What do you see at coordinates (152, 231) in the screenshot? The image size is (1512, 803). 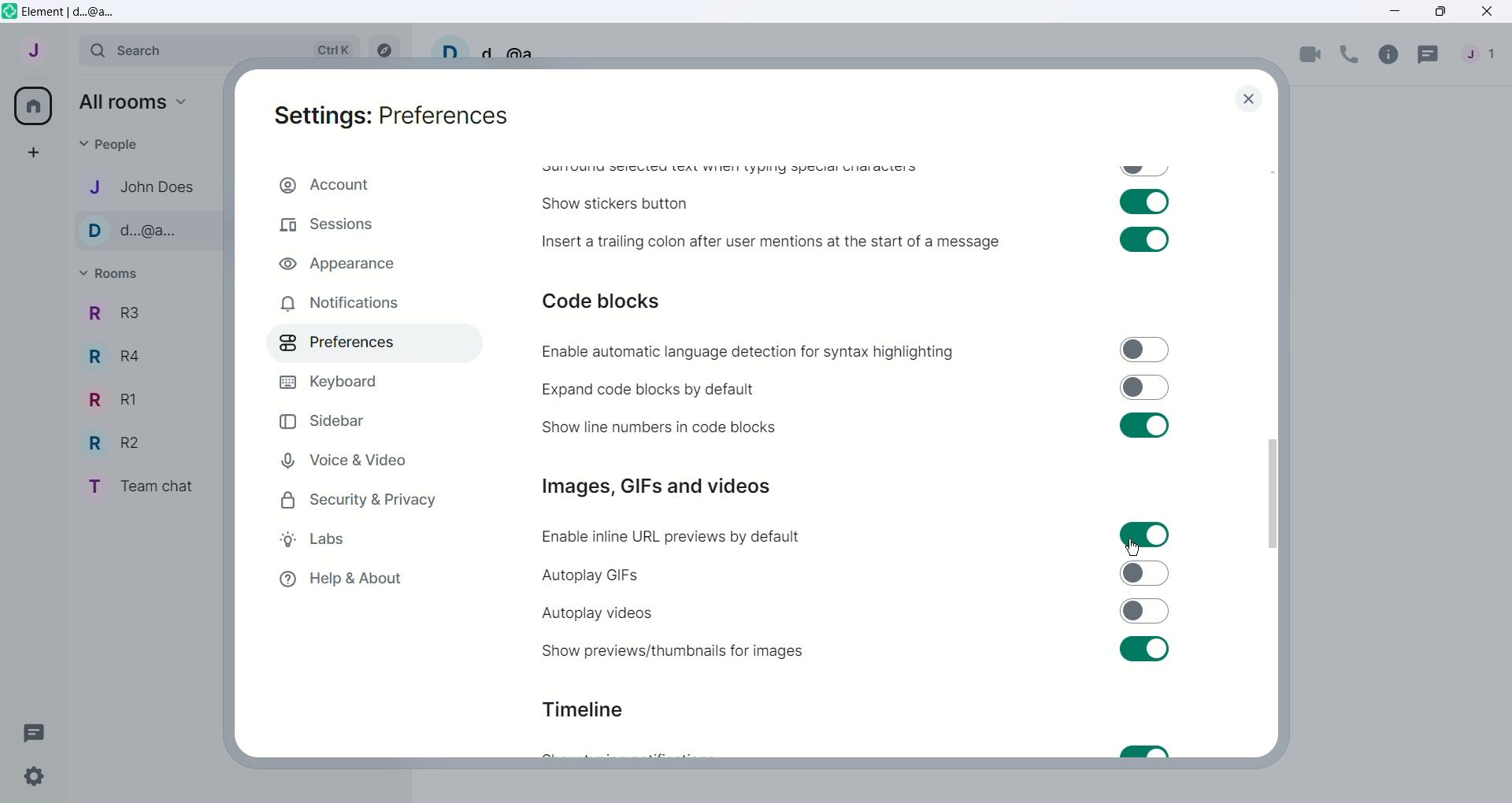 I see `d...@a... - Contact name` at bounding box center [152, 231].